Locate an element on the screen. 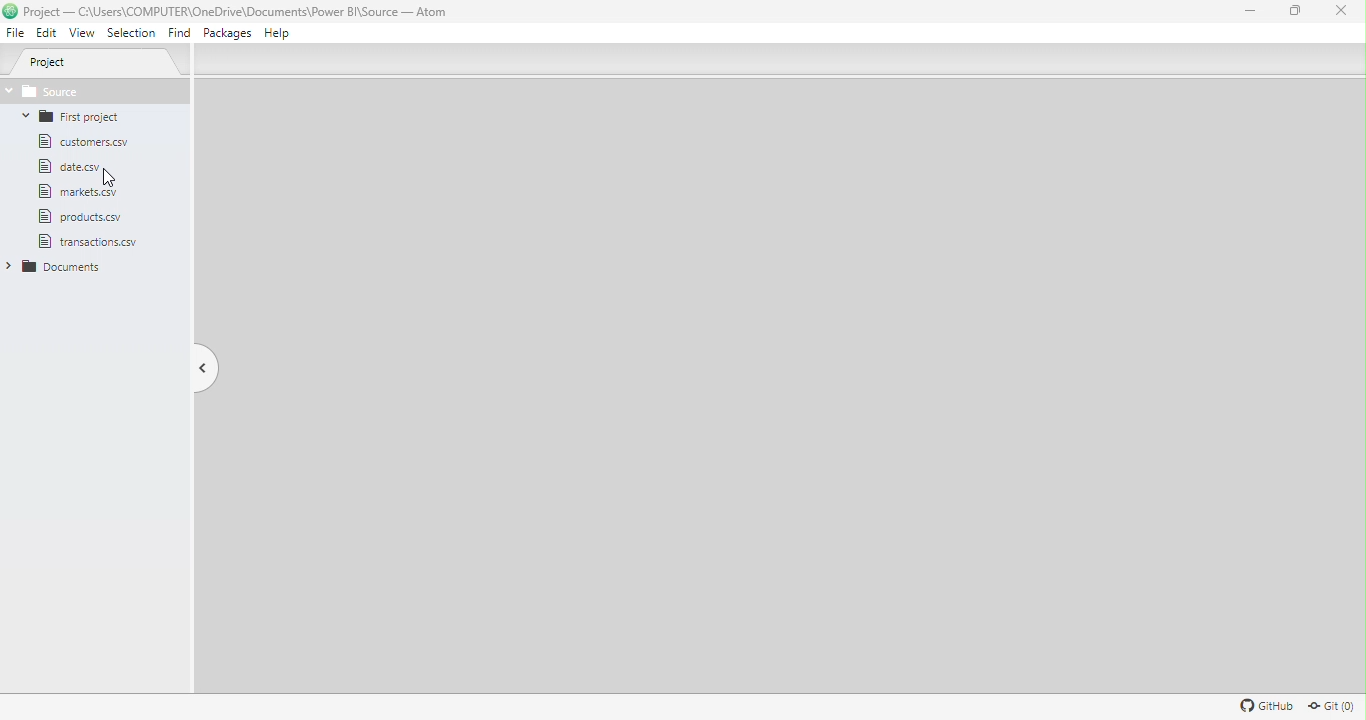  Close is located at coordinates (1336, 11).